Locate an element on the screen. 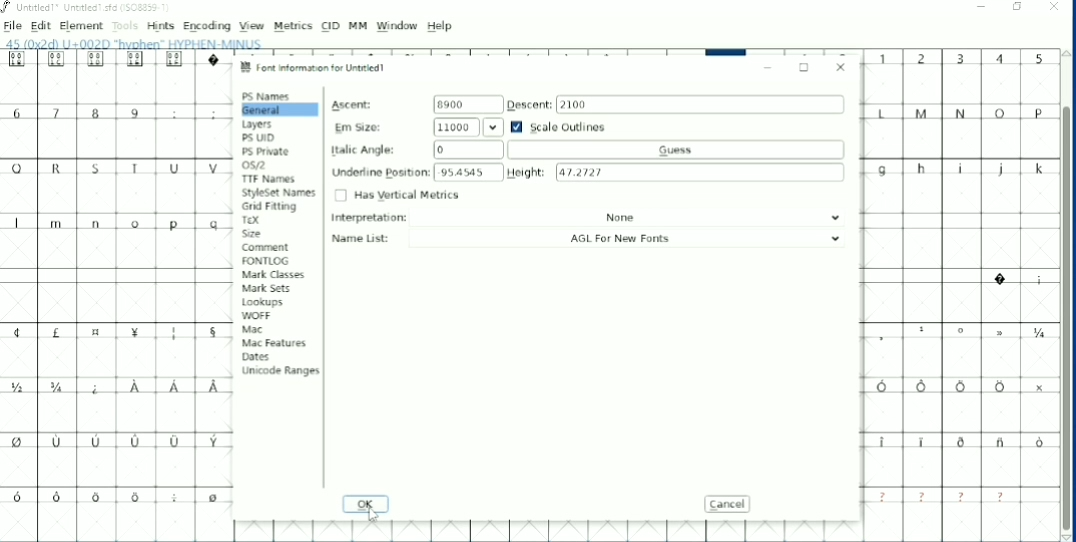  Underline Position is located at coordinates (416, 172).